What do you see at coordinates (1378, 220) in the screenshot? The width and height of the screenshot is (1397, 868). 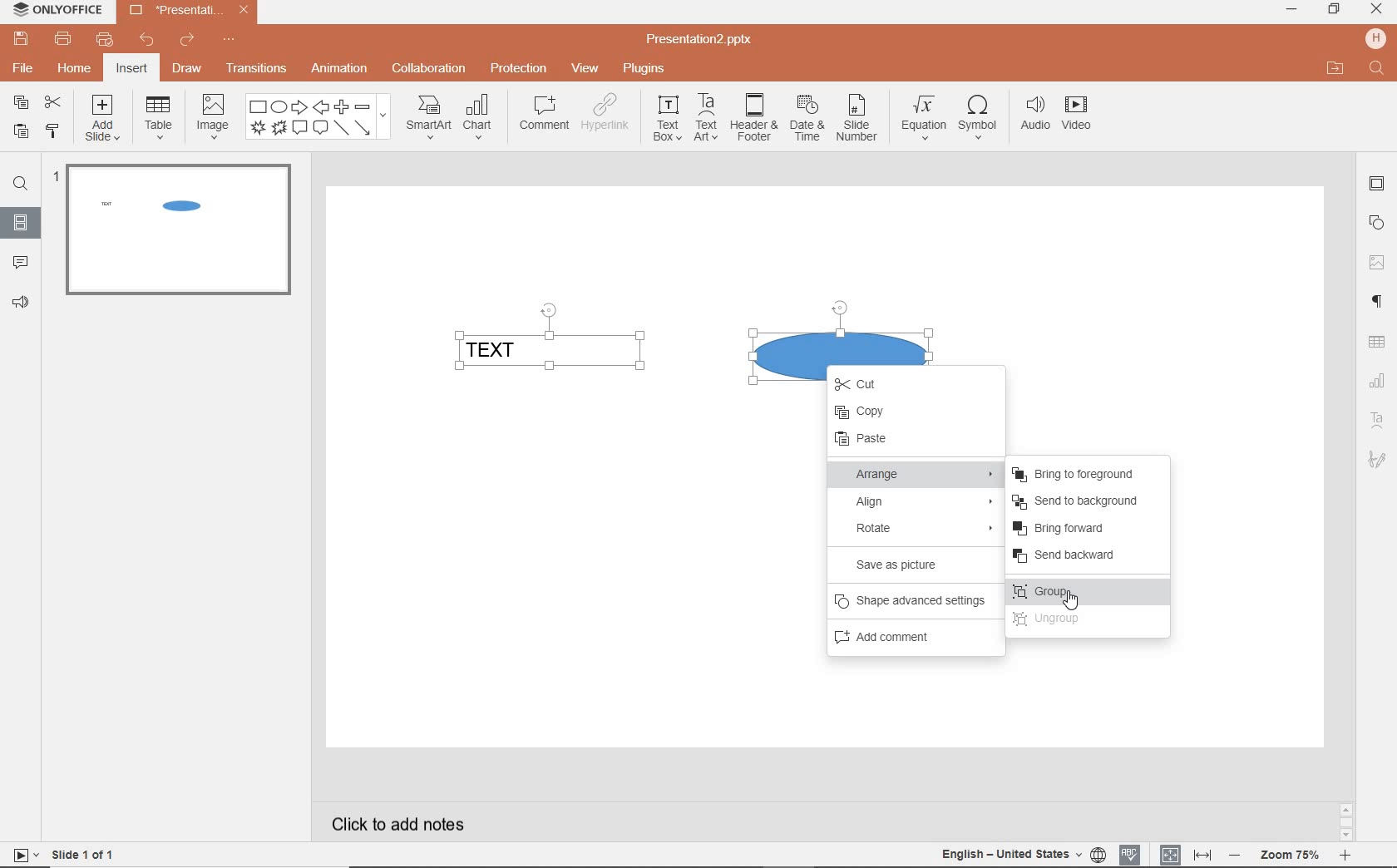 I see `SHAPE SETTINGS` at bounding box center [1378, 220].